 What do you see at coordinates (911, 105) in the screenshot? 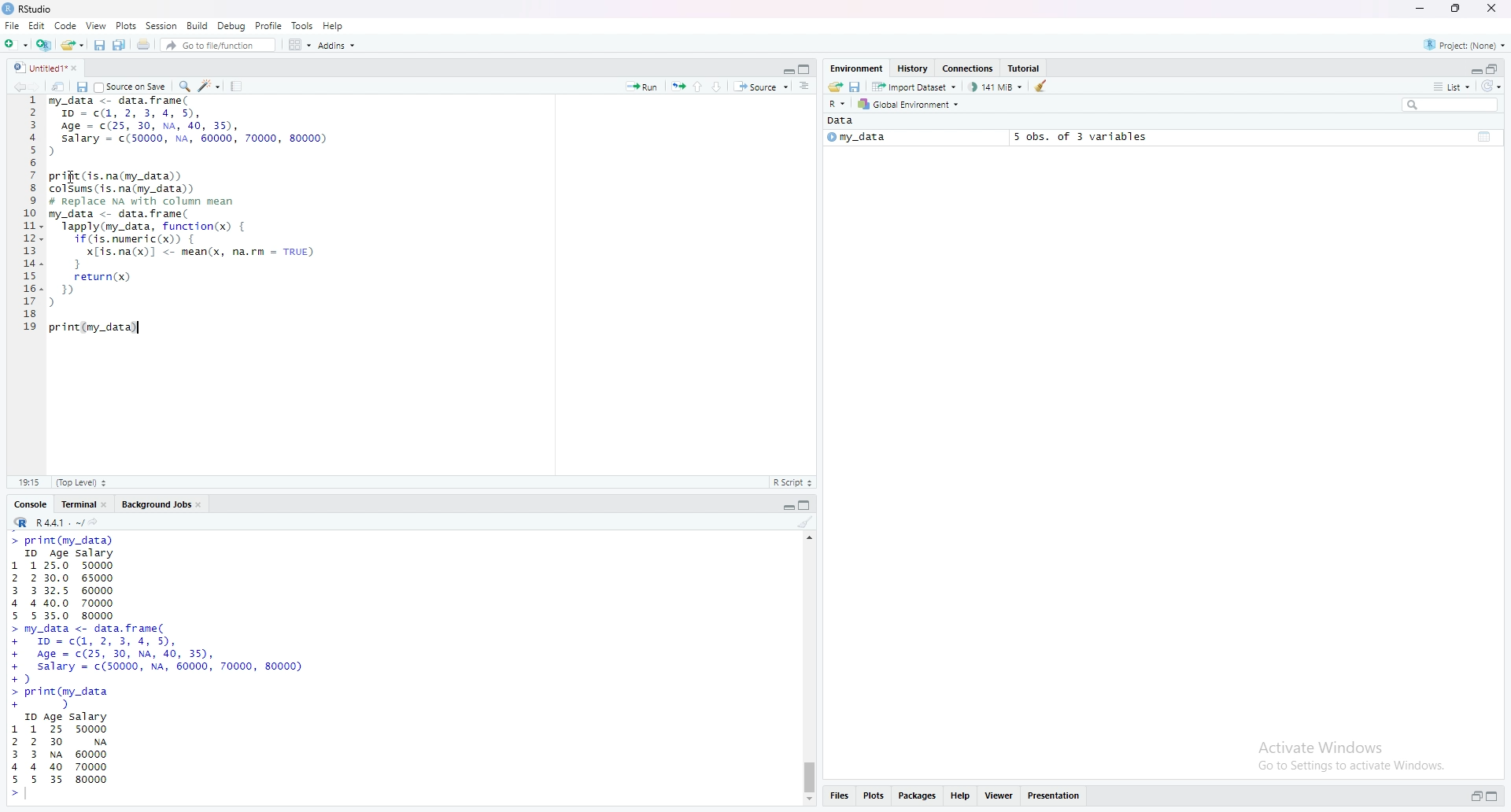
I see `global environment` at bounding box center [911, 105].